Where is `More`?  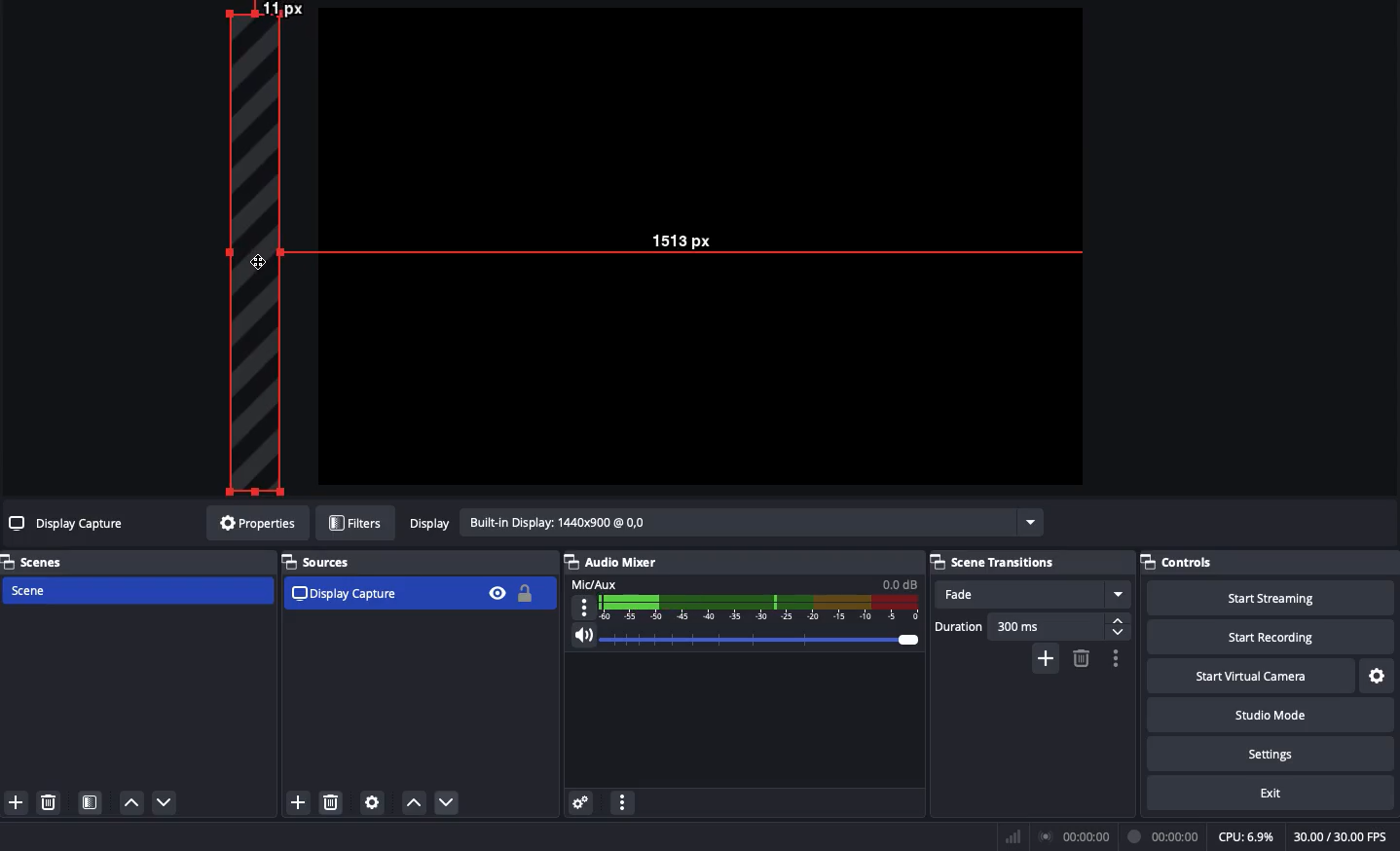 More is located at coordinates (621, 805).